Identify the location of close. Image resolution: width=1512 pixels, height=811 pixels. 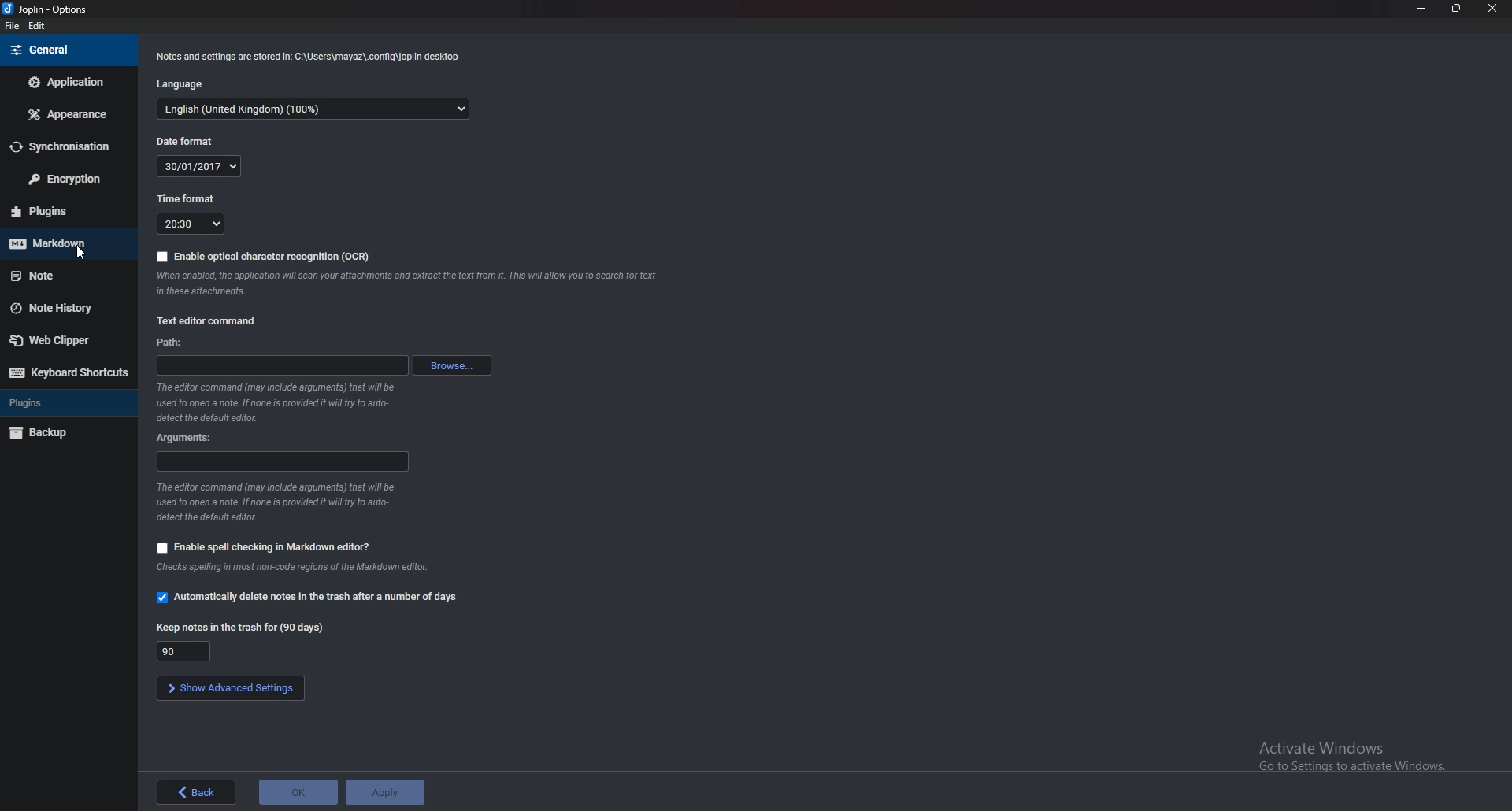
(1493, 9).